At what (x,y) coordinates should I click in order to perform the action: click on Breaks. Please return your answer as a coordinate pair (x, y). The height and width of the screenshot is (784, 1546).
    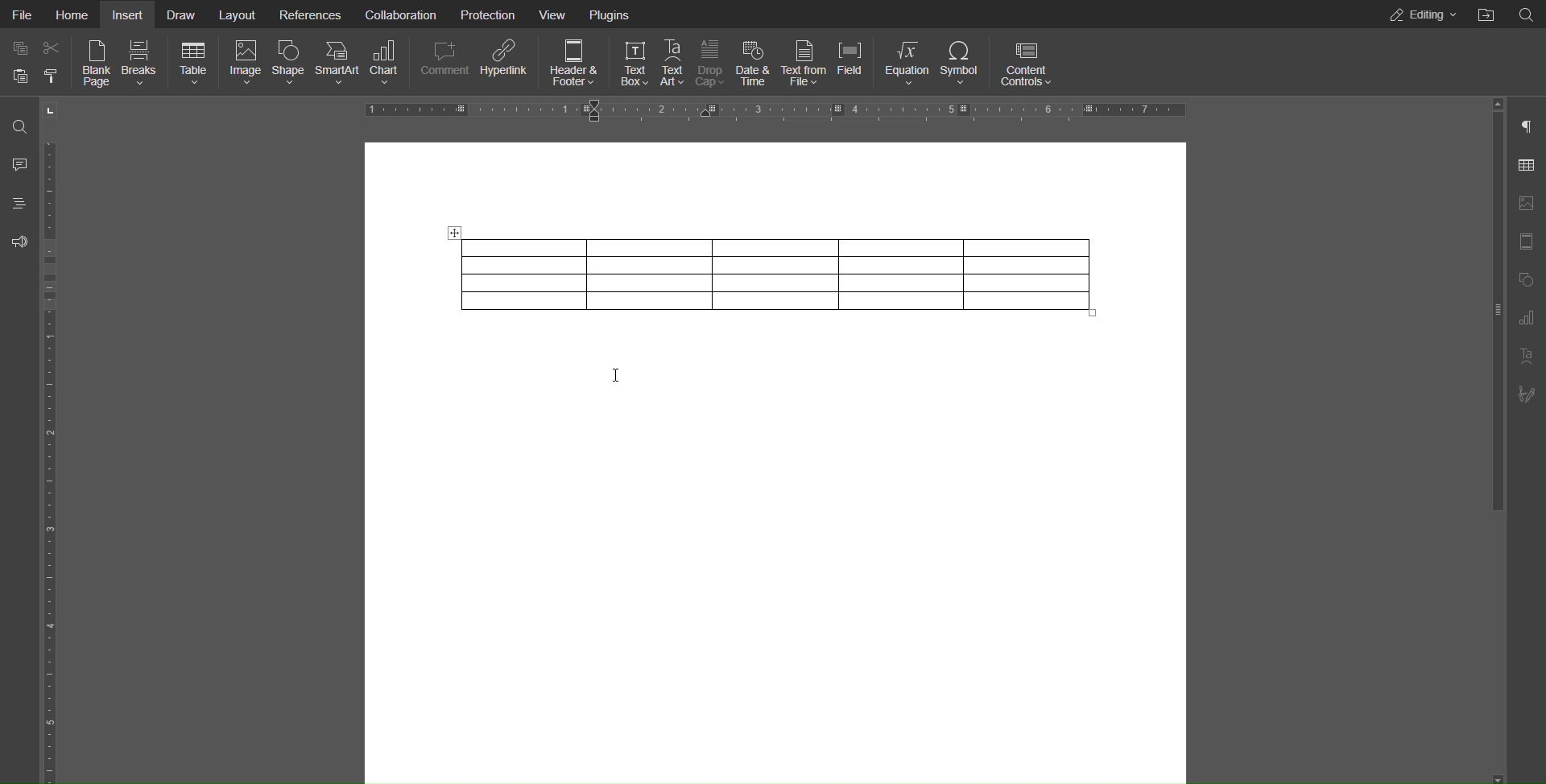
    Looking at the image, I should click on (141, 63).